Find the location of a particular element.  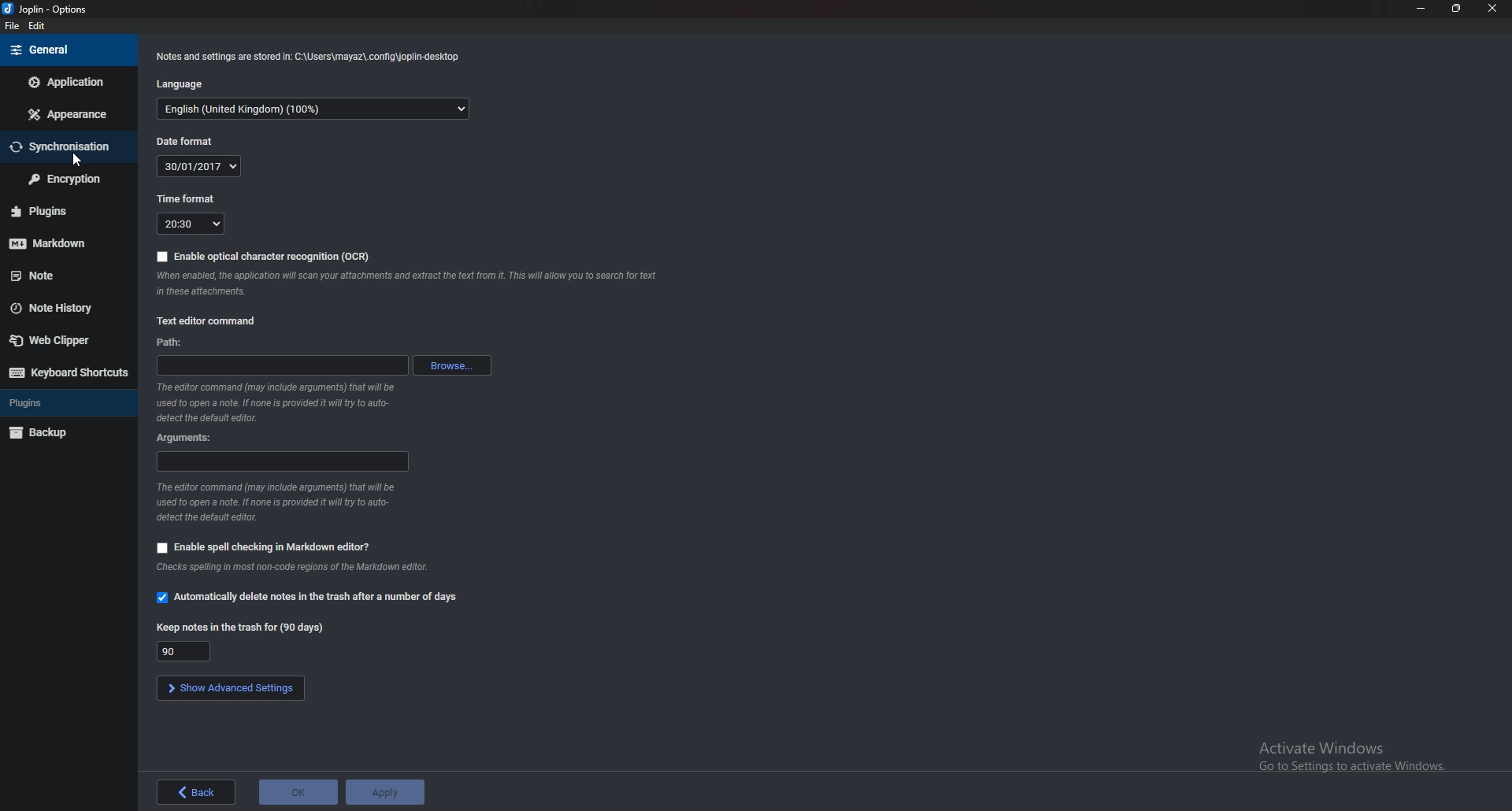

minimize is located at coordinates (1421, 8).